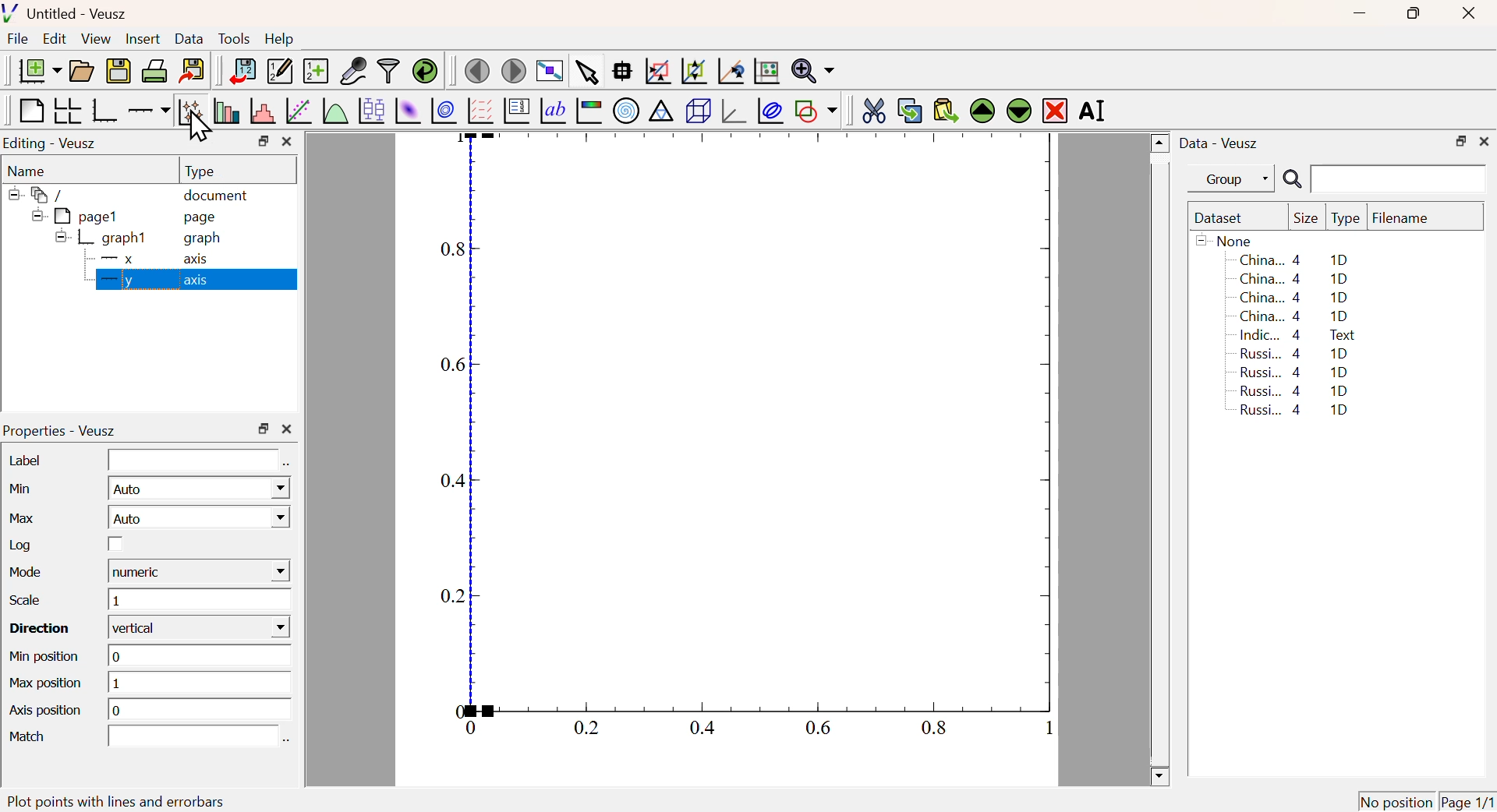  I want to click on Indic... 4 Text, so click(1297, 335).